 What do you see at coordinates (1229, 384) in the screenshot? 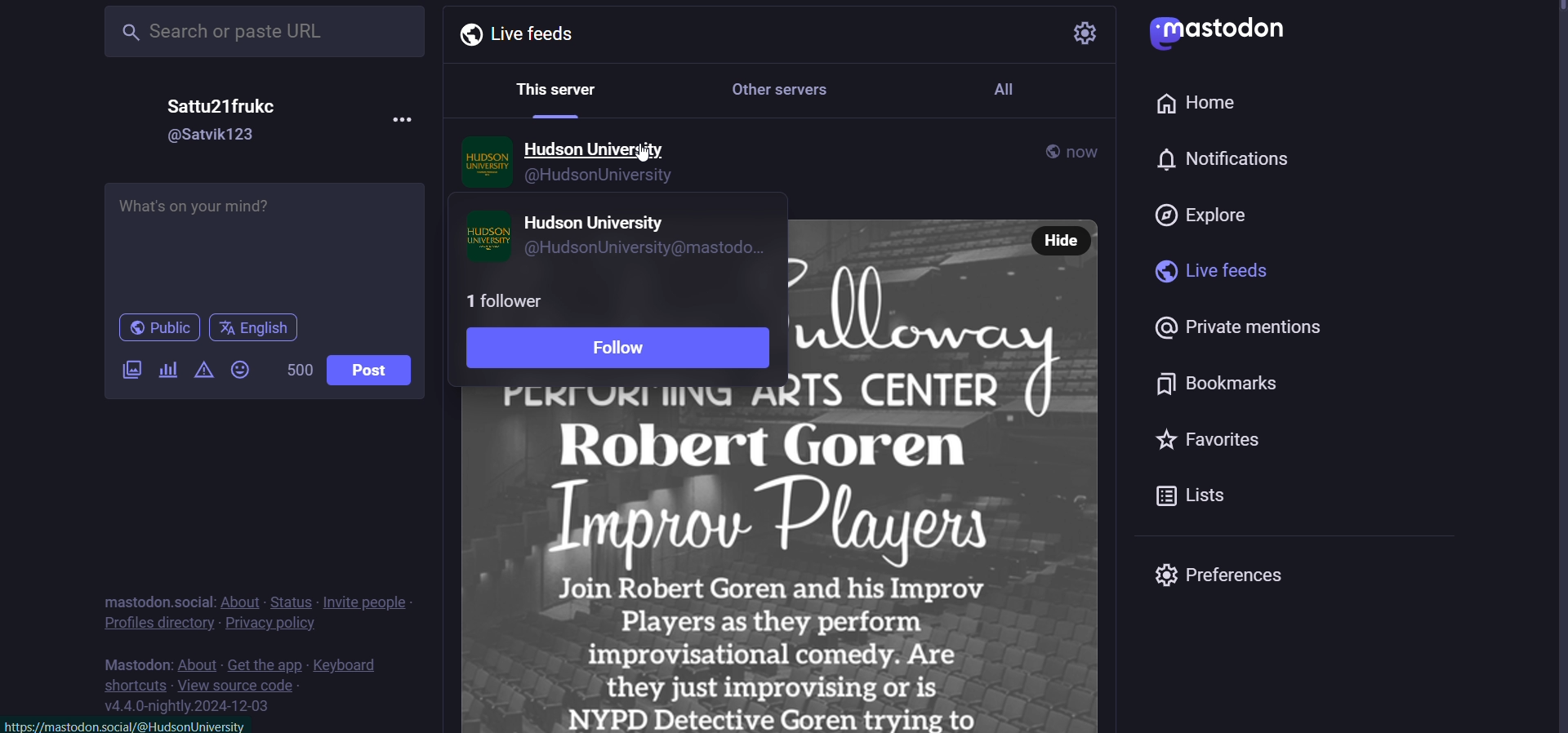
I see `bookmark` at bounding box center [1229, 384].